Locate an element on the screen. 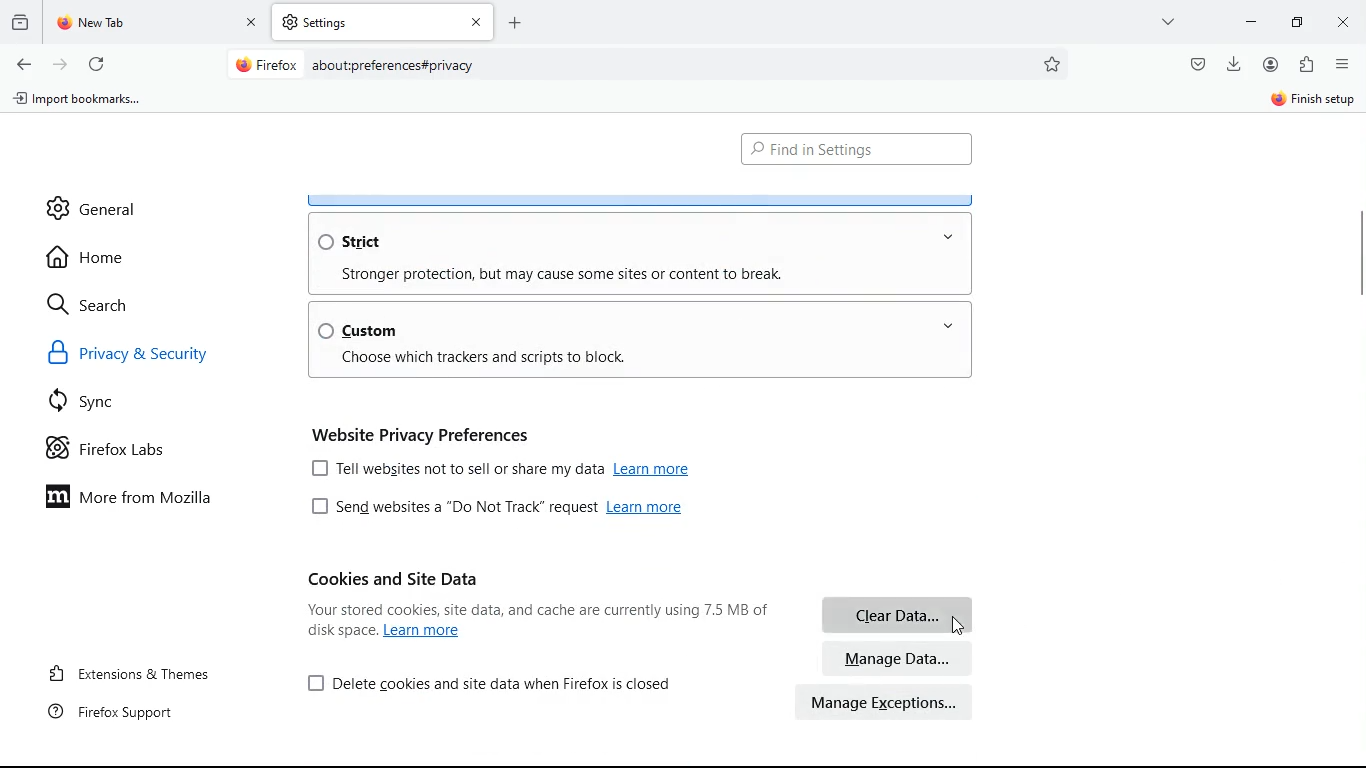 This screenshot has width=1366, height=768. Choose which trackers and scripts to block. is located at coordinates (485, 358).